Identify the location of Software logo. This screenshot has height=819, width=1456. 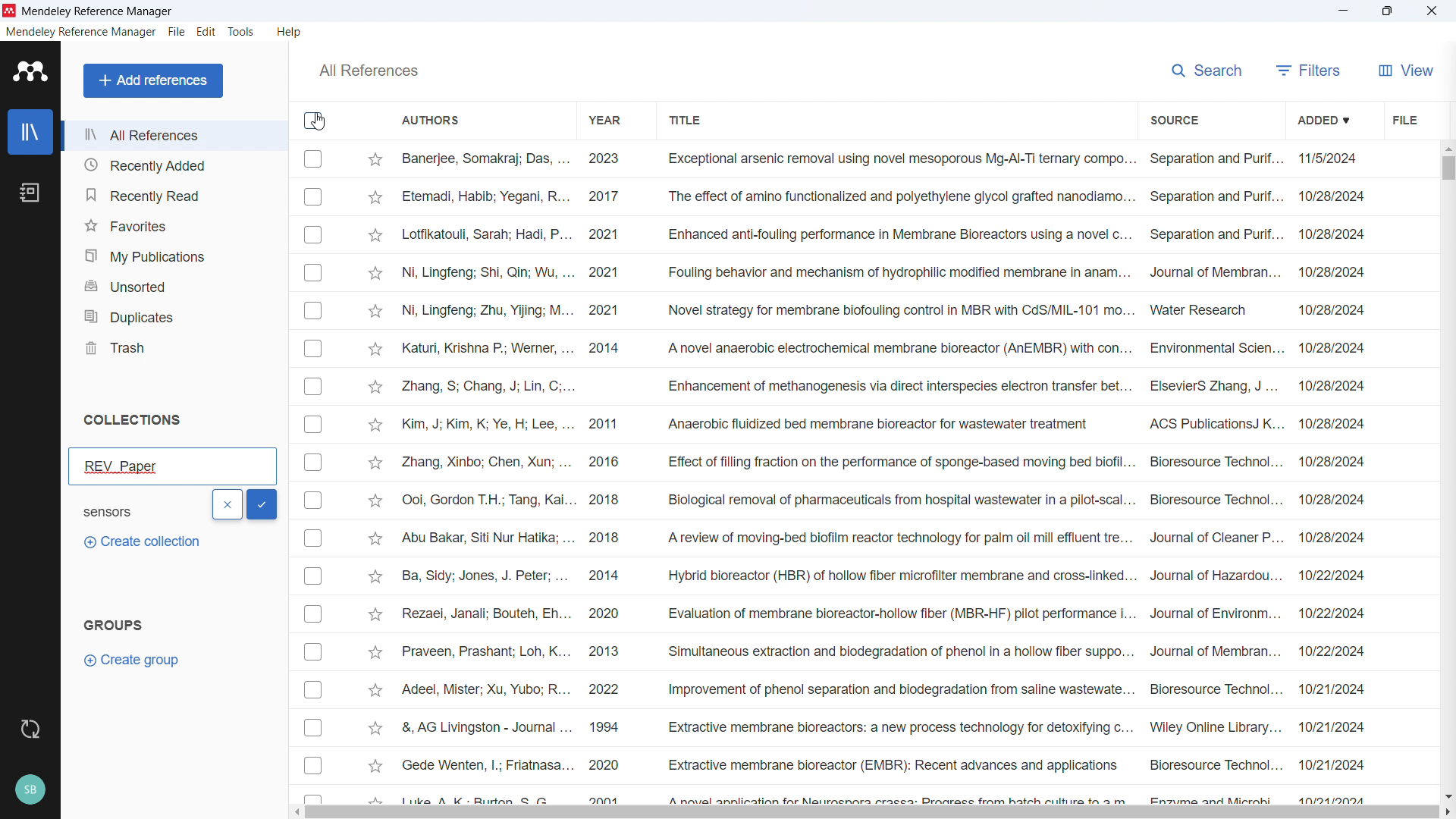
(10, 11).